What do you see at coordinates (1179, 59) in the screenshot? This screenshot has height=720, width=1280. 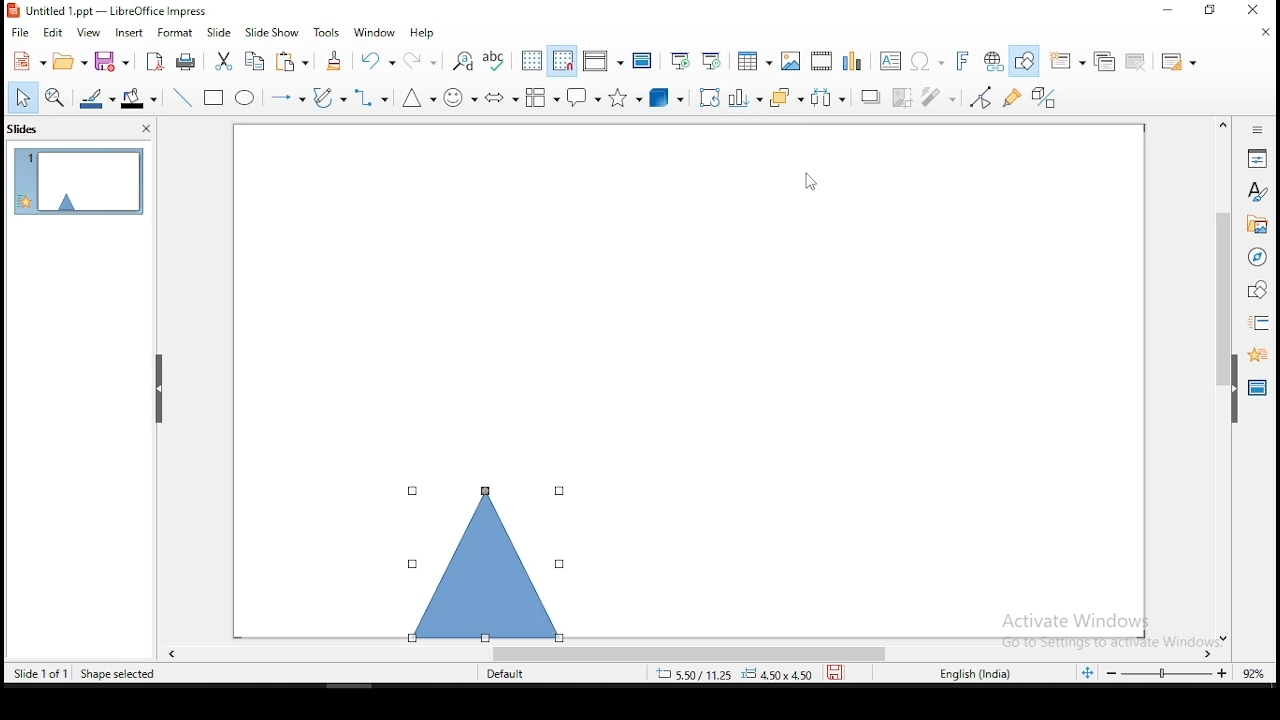 I see `slide layout` at bounding box center [1179, 59].